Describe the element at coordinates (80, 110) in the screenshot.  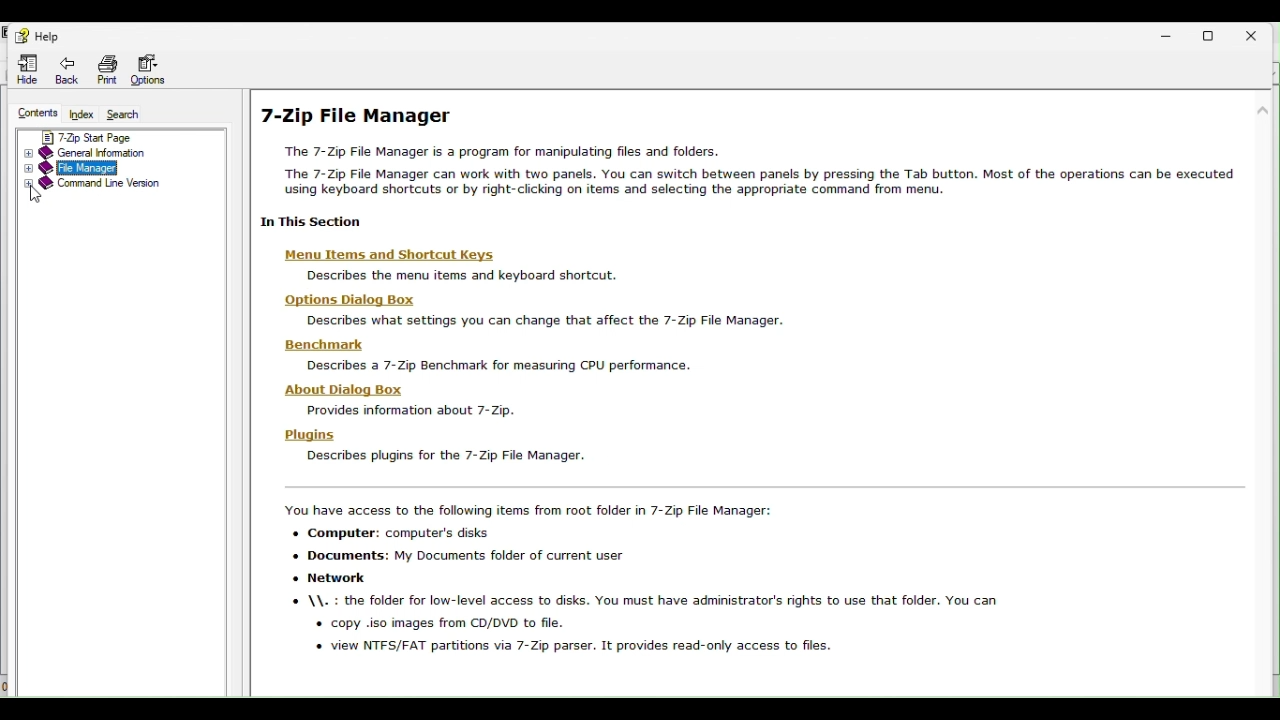
I see `index` at that location.